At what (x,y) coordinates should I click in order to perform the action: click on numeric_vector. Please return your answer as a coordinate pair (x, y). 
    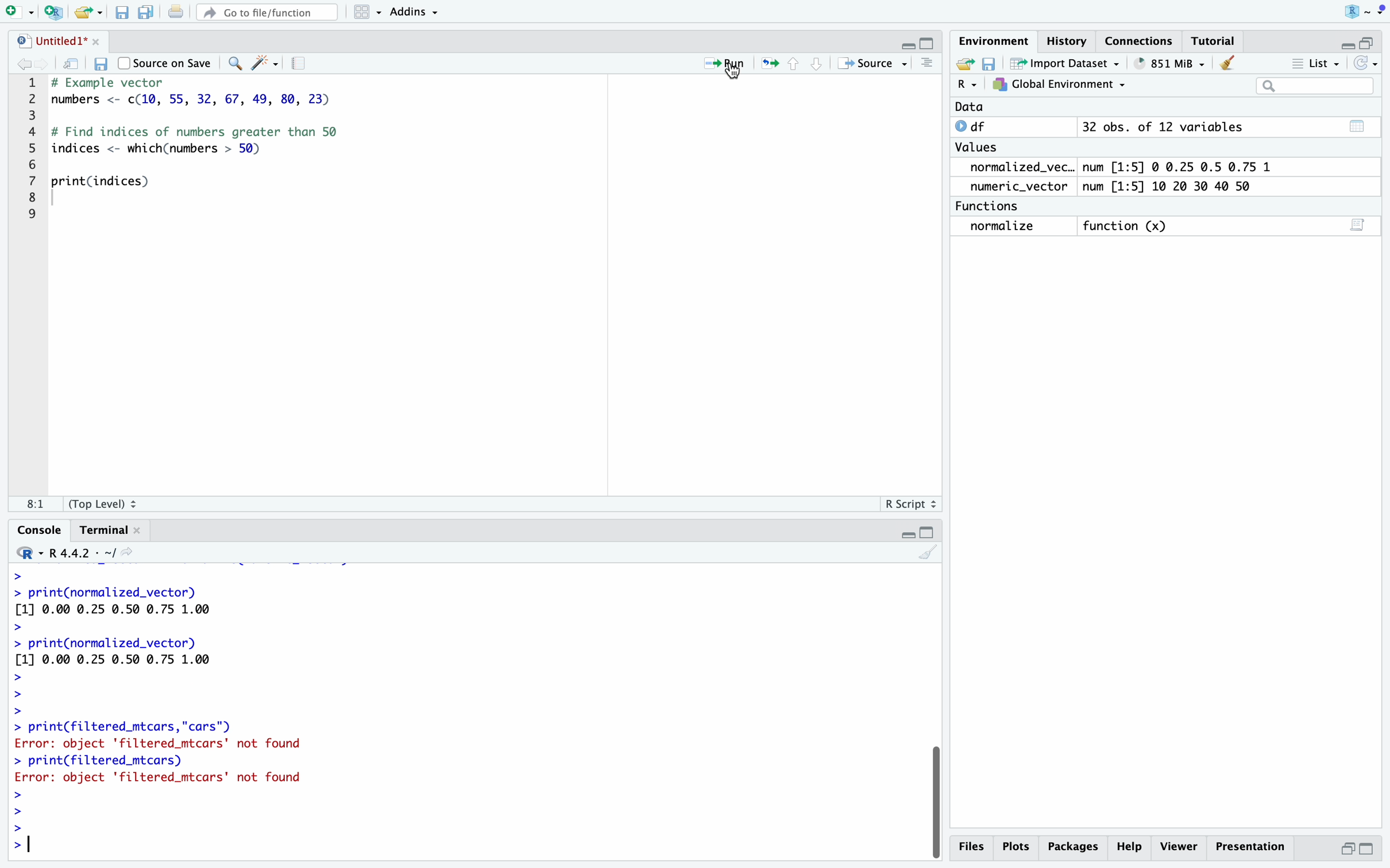
    Looking at the image, I should click on (1023, 187).